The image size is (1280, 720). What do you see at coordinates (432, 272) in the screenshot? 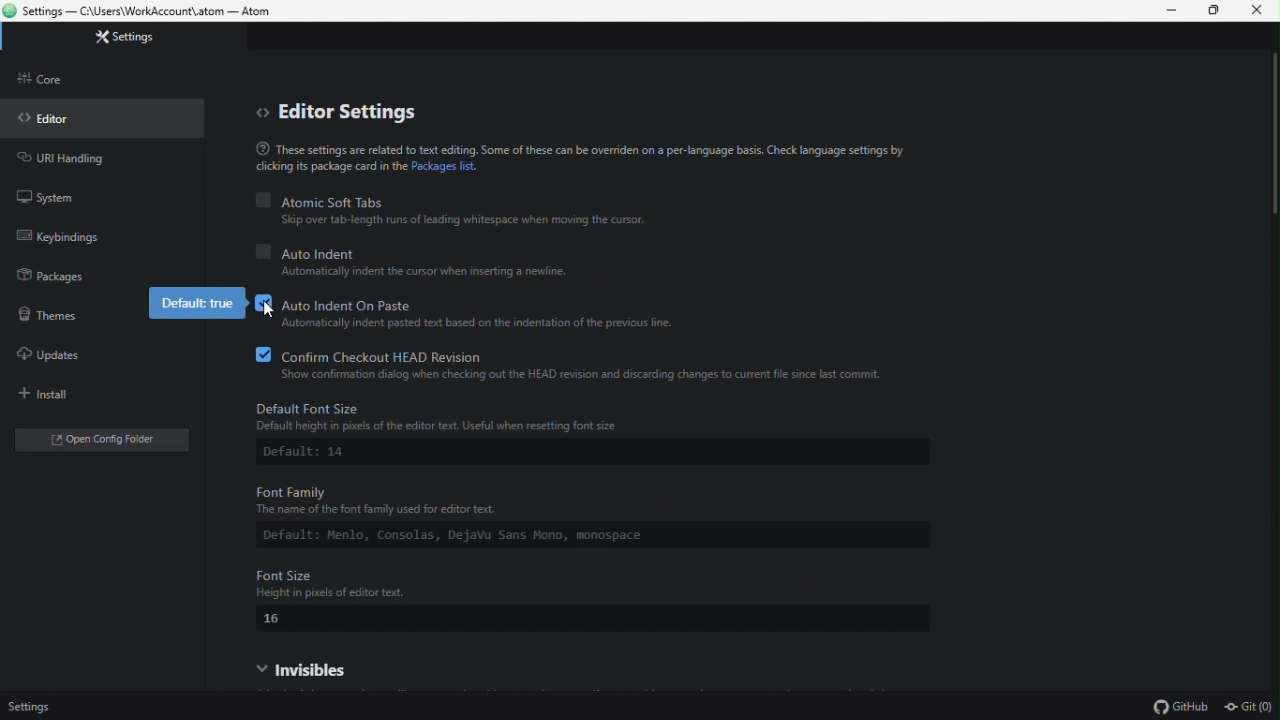
I see `Automatically indent the cursor when inserting a newline.` at bounding box center [432, 272].